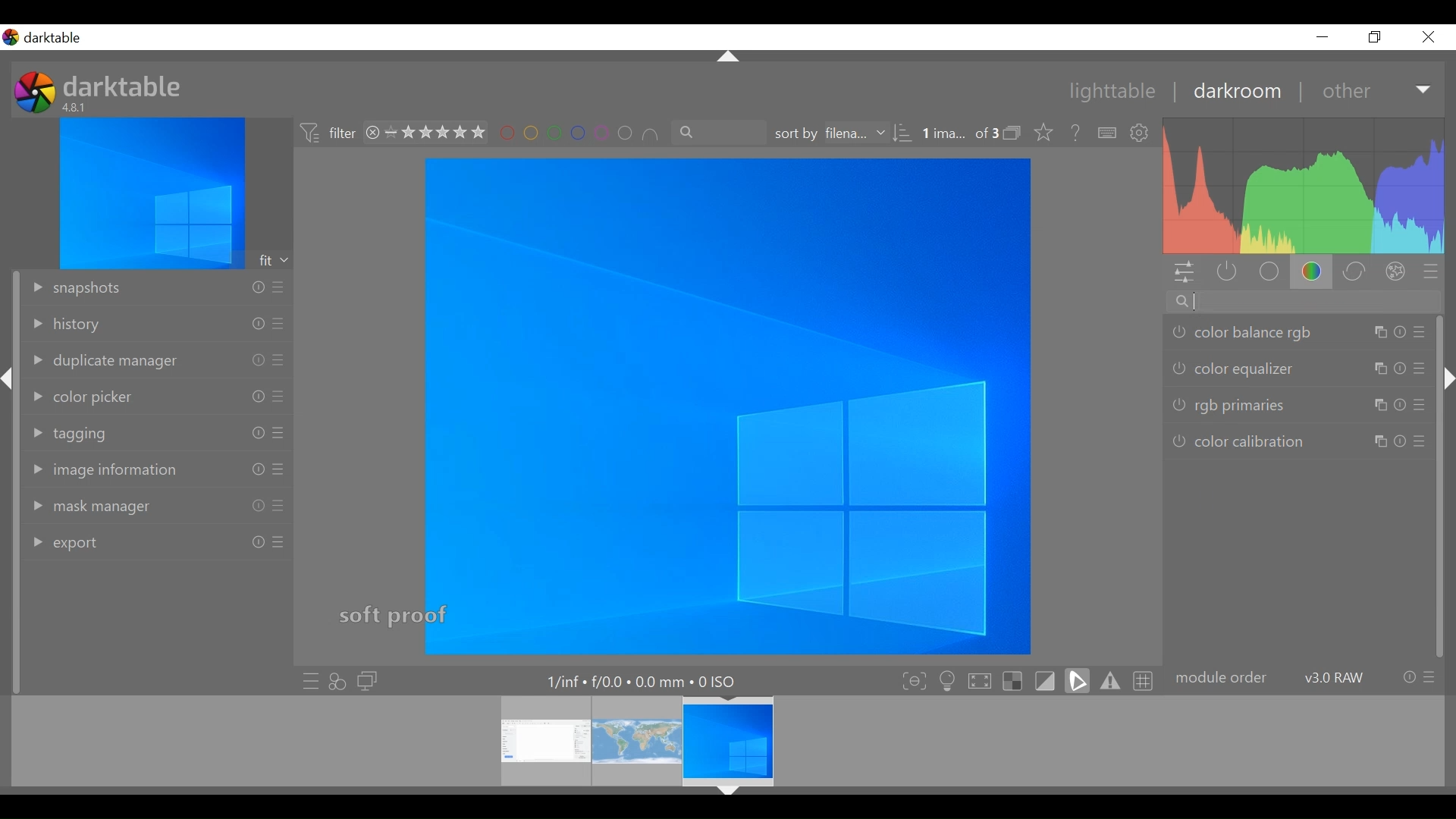 The width and height of the screenshot is (1456, 819). I want to click on show global preferences, so click(1141, 134).